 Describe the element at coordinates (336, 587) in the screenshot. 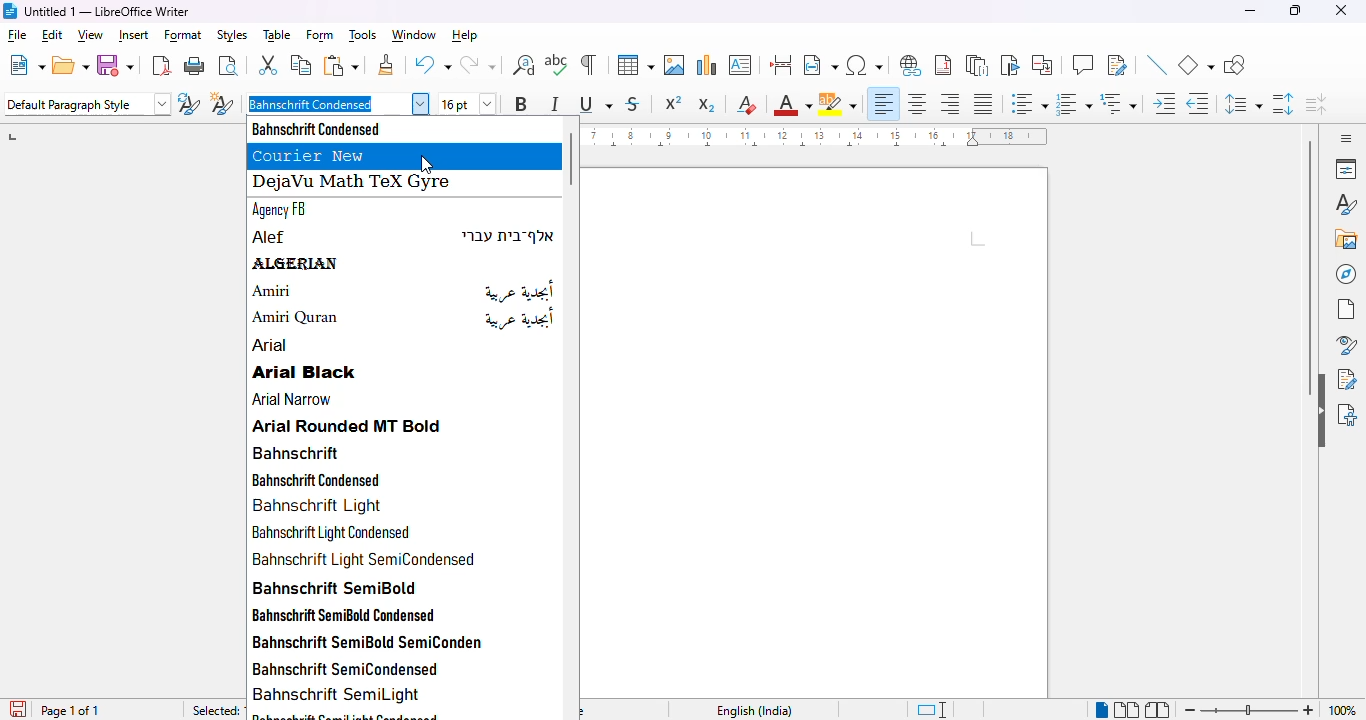

I see `bahnschrift semibold` at that location.